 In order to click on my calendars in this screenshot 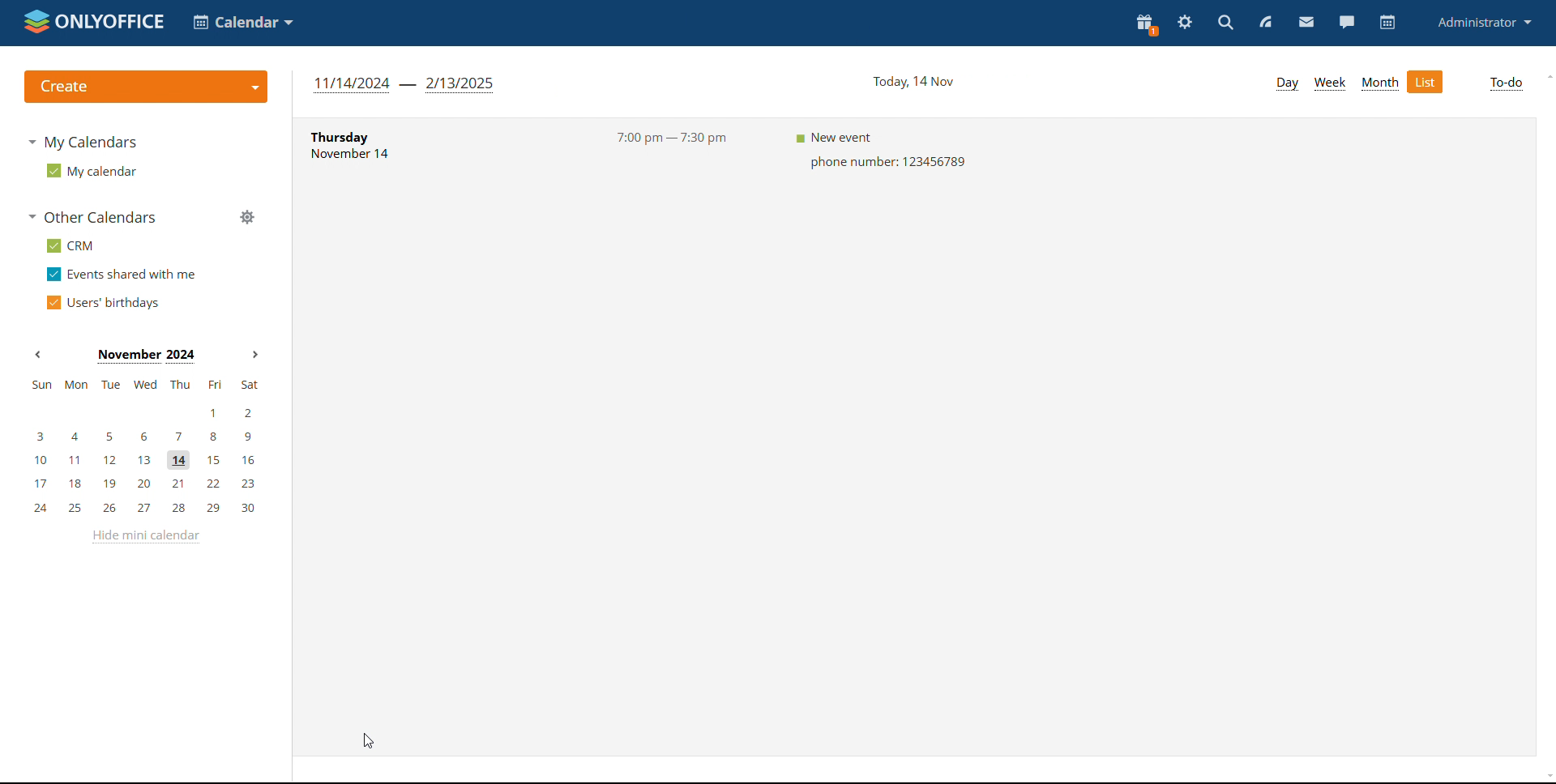, I will do `click(80, 141)`.